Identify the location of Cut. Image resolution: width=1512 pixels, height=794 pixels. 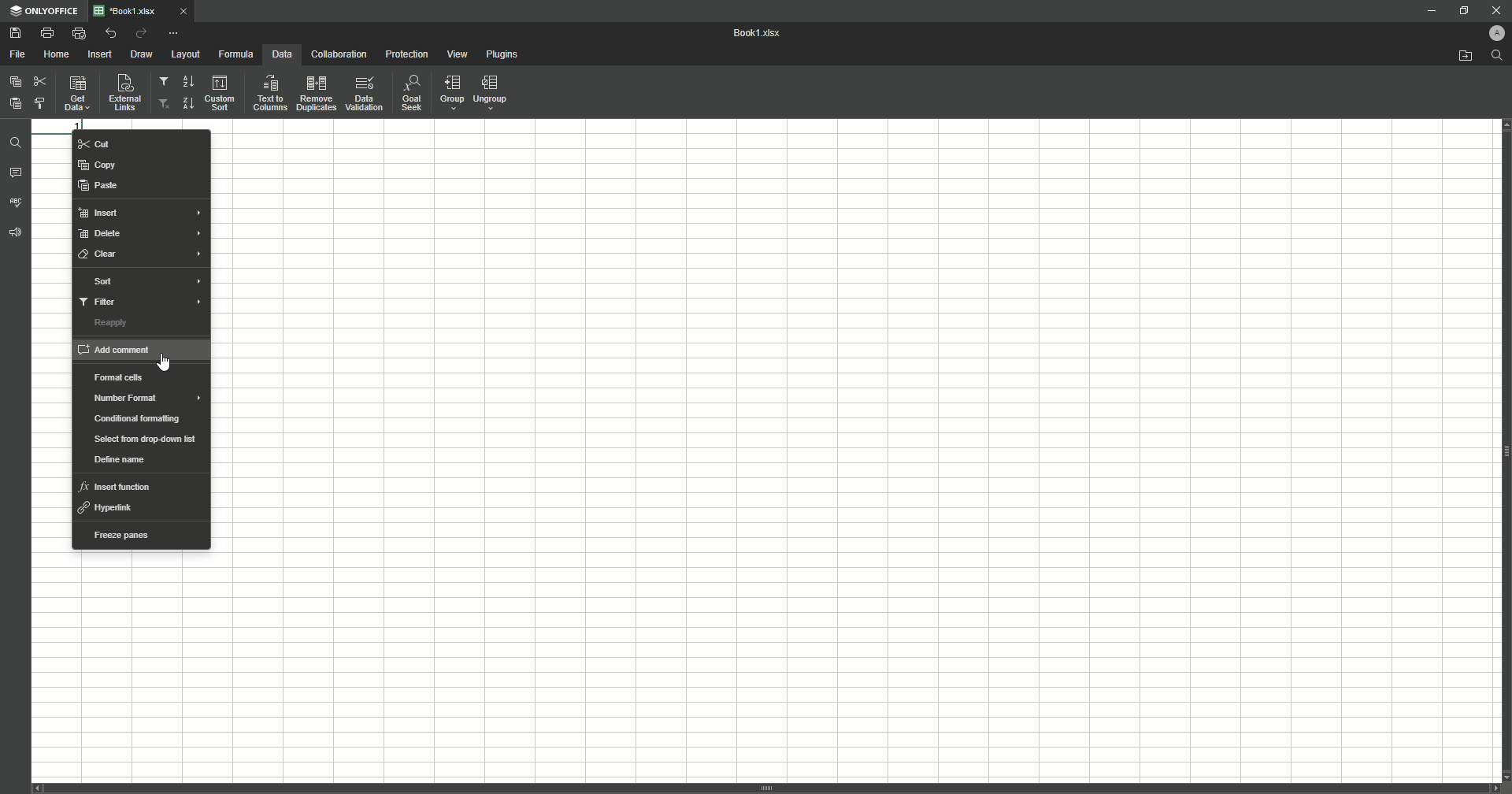
(39, 79).